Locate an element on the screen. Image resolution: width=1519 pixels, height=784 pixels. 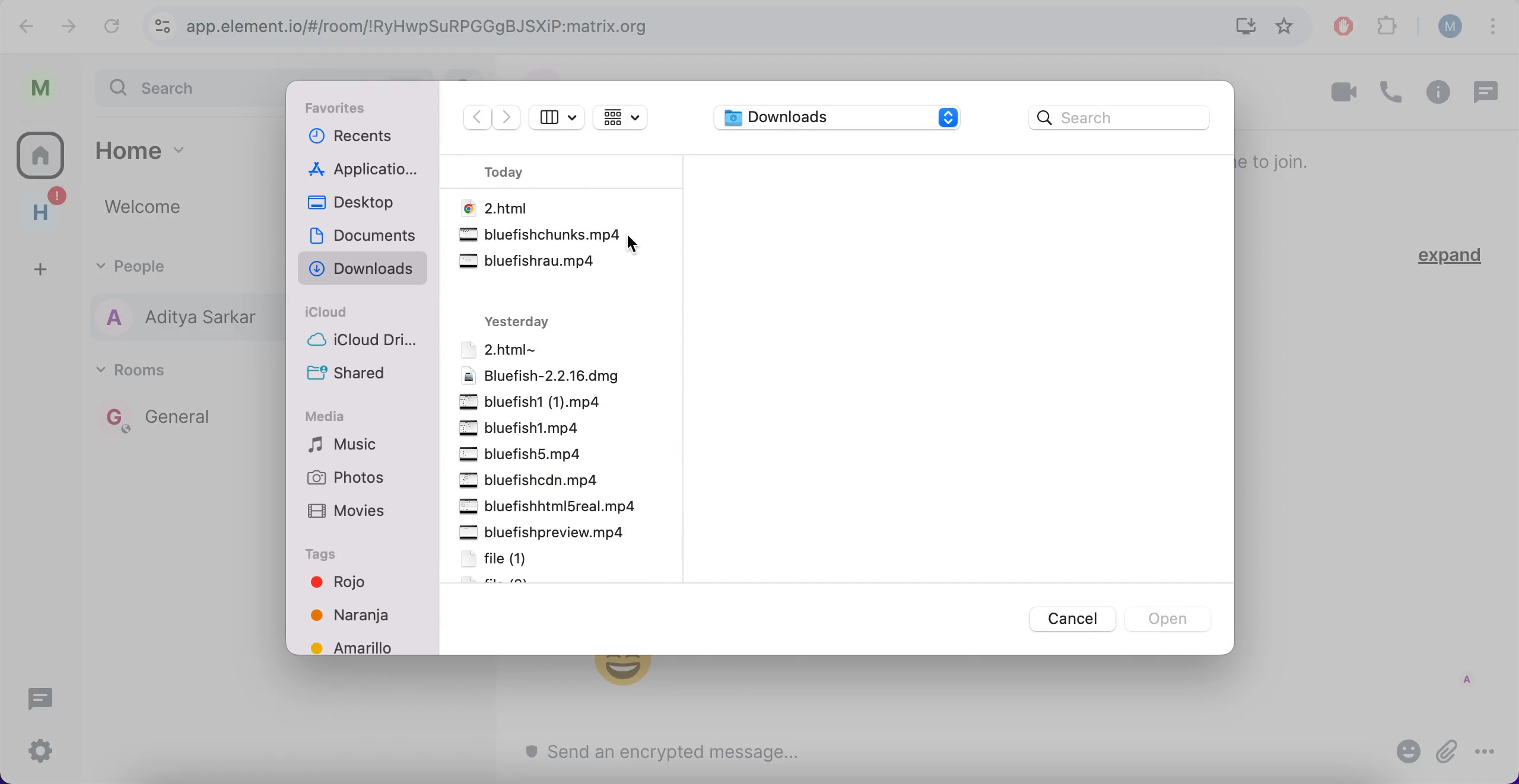
bluefish1 (1).mp4 is located at coordinates (544, 401).